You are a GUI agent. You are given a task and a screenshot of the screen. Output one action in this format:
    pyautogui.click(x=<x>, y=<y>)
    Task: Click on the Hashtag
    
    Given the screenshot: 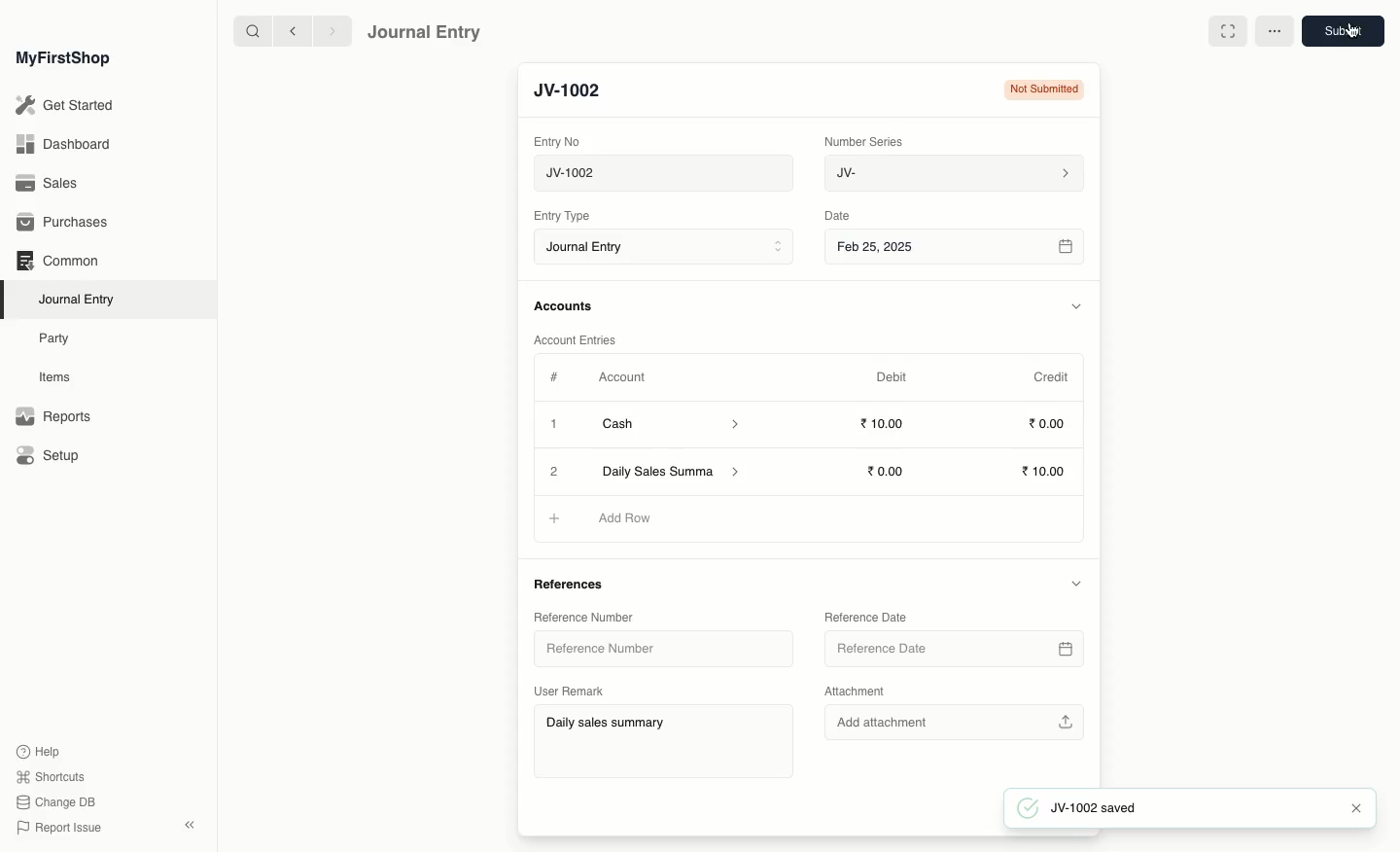 What is the action you would take?
    pyautogui.click(x=558, y=378)
    